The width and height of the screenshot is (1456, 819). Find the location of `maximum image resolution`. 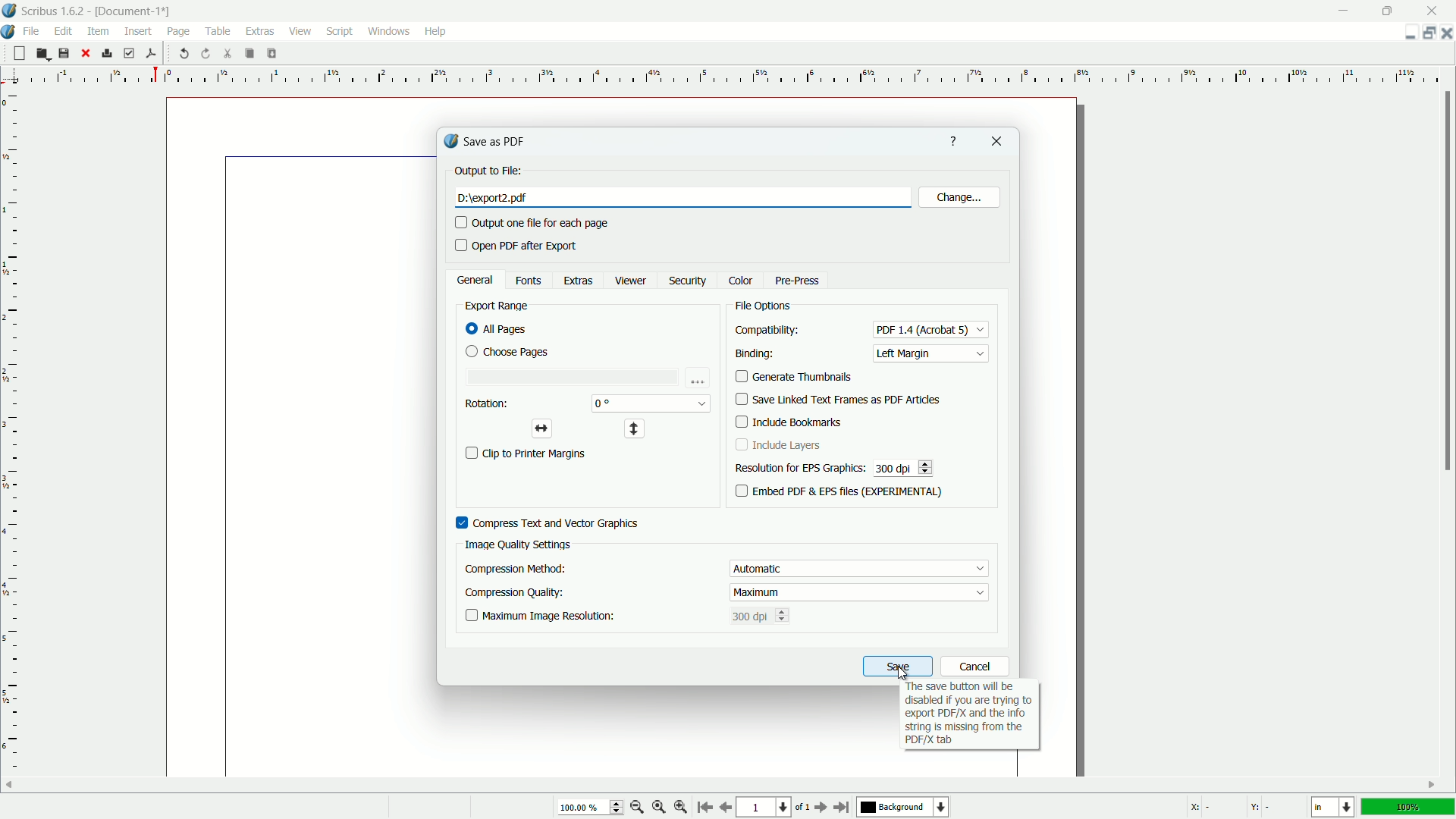

maximum image resolution is located at coordinates (543, 615).